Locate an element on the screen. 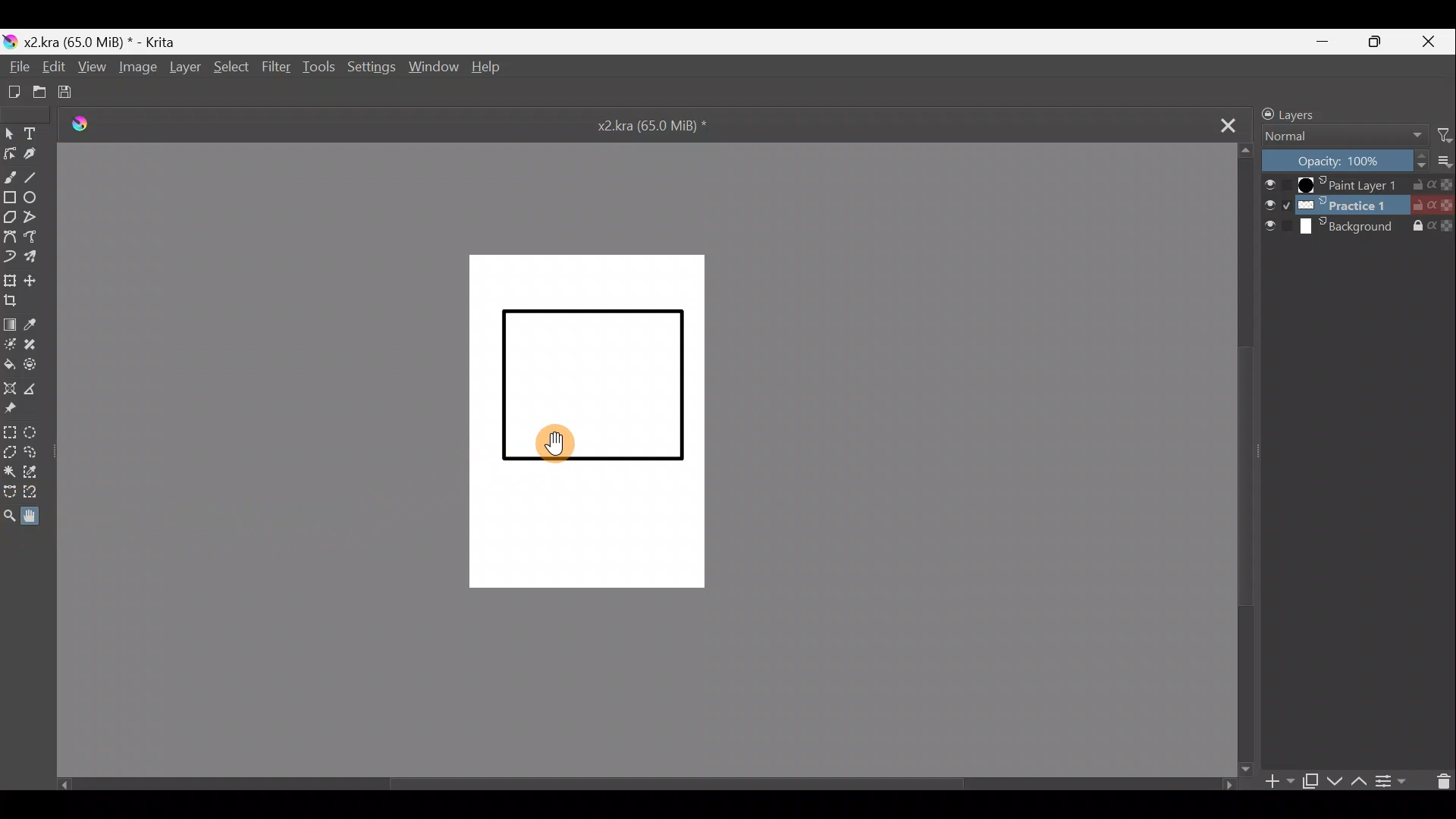 Image resolution: width=1456 pixels, height=819 pixels. Filter is located at coordinates (275, 68).